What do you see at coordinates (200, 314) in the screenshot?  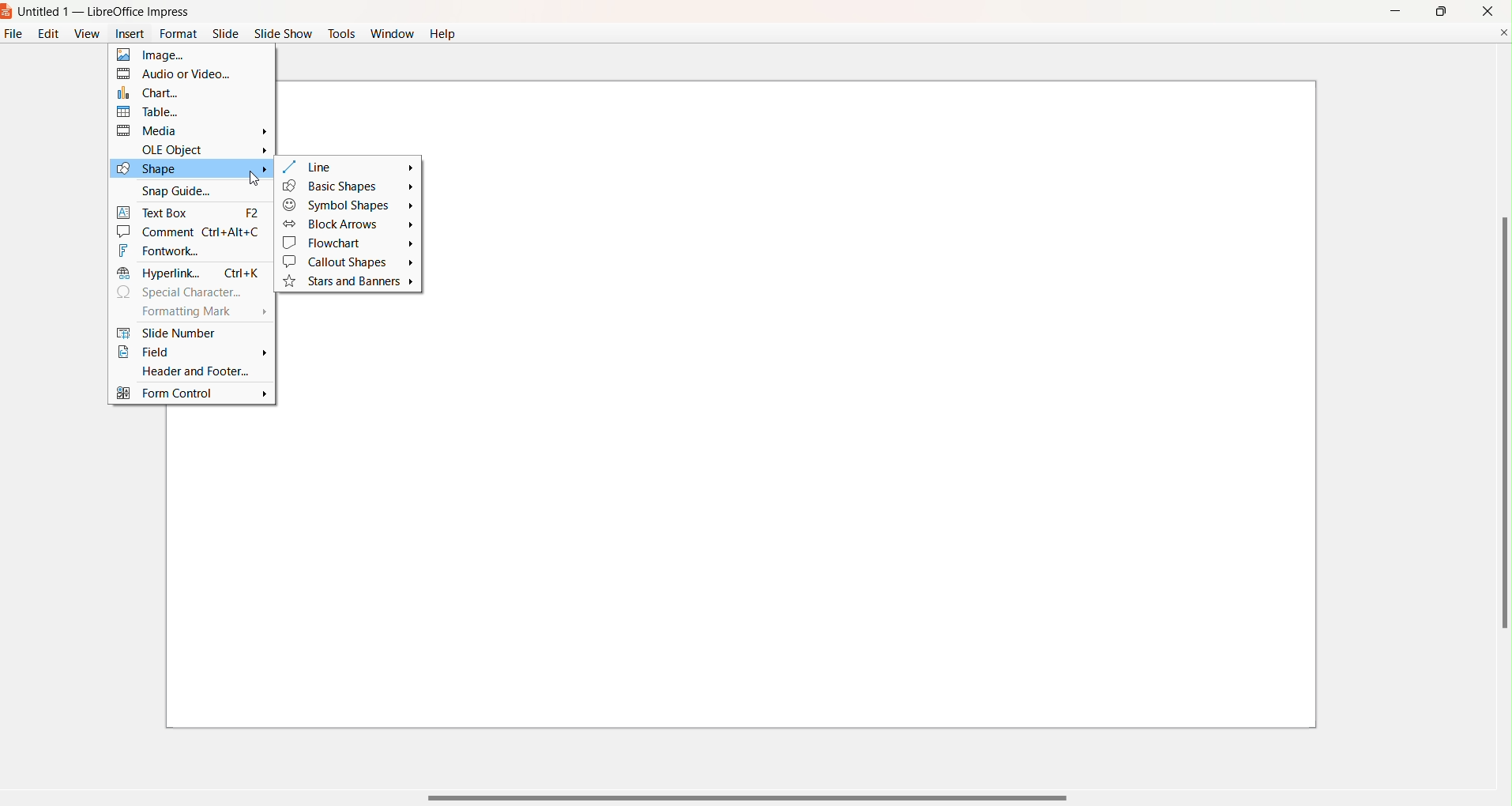 I see `Formatting Mark` at bounding box center [200, 314].